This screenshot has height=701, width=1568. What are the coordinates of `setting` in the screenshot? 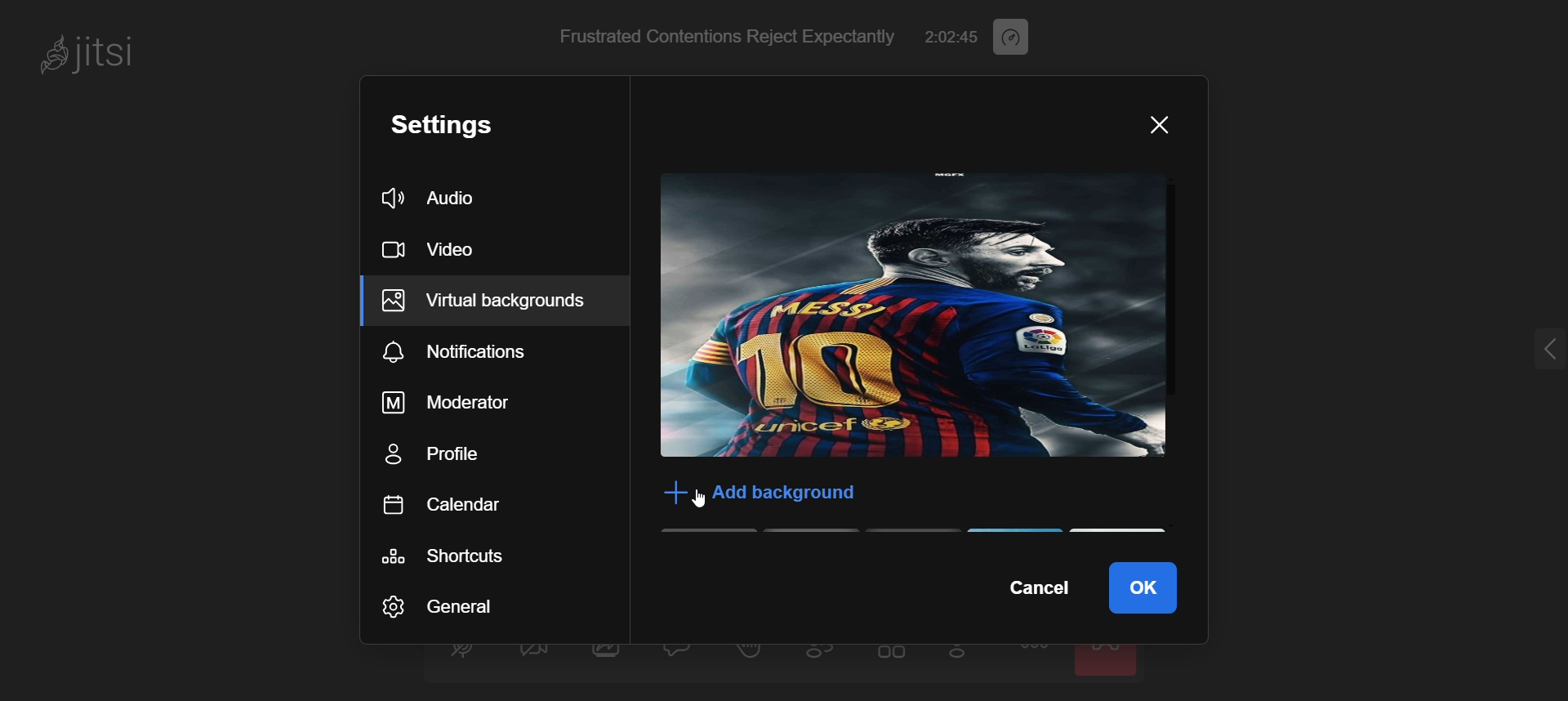 It's located at (464, 123).